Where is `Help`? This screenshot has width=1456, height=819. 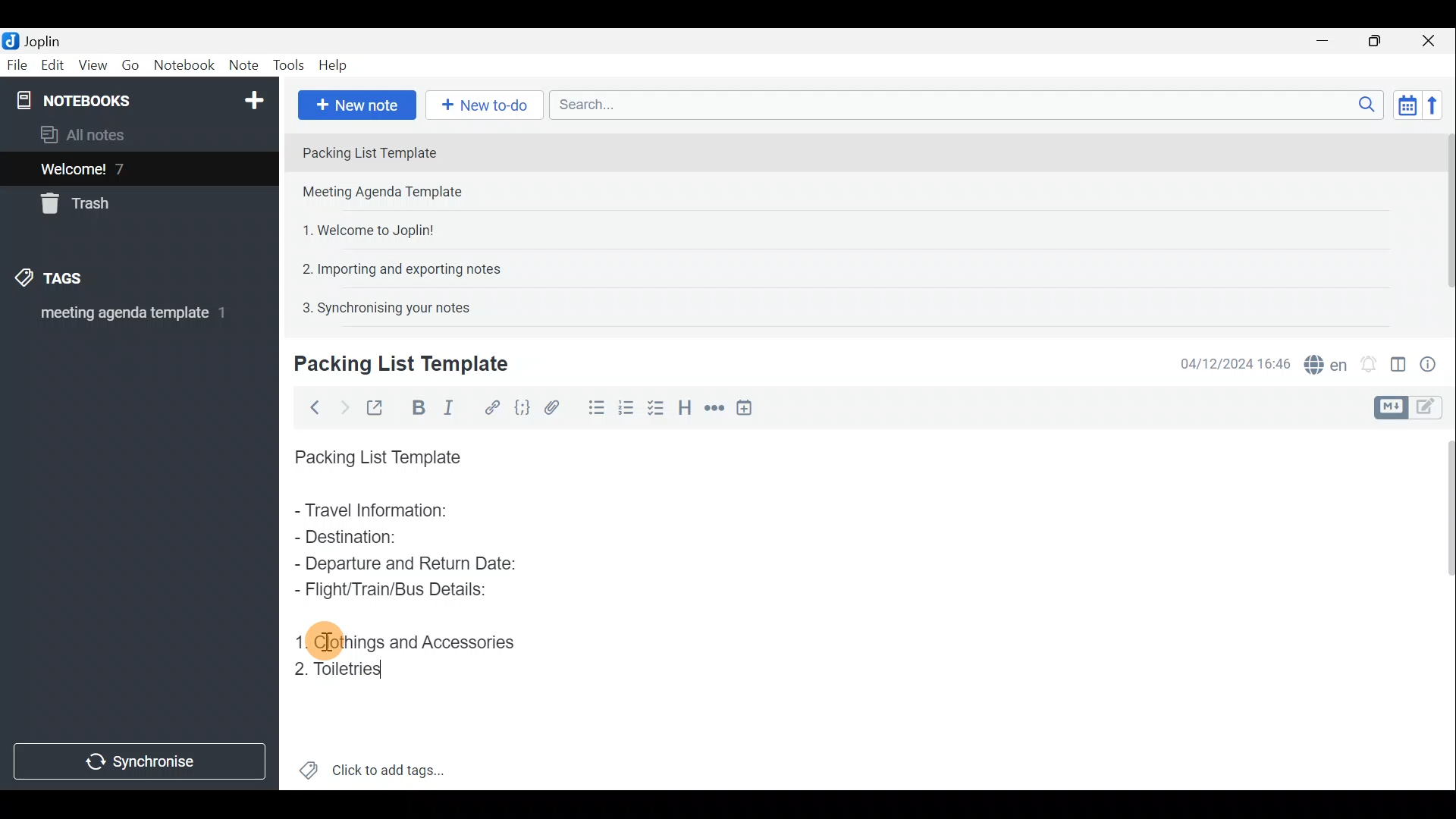 Help is located at coordinates (335, 67).